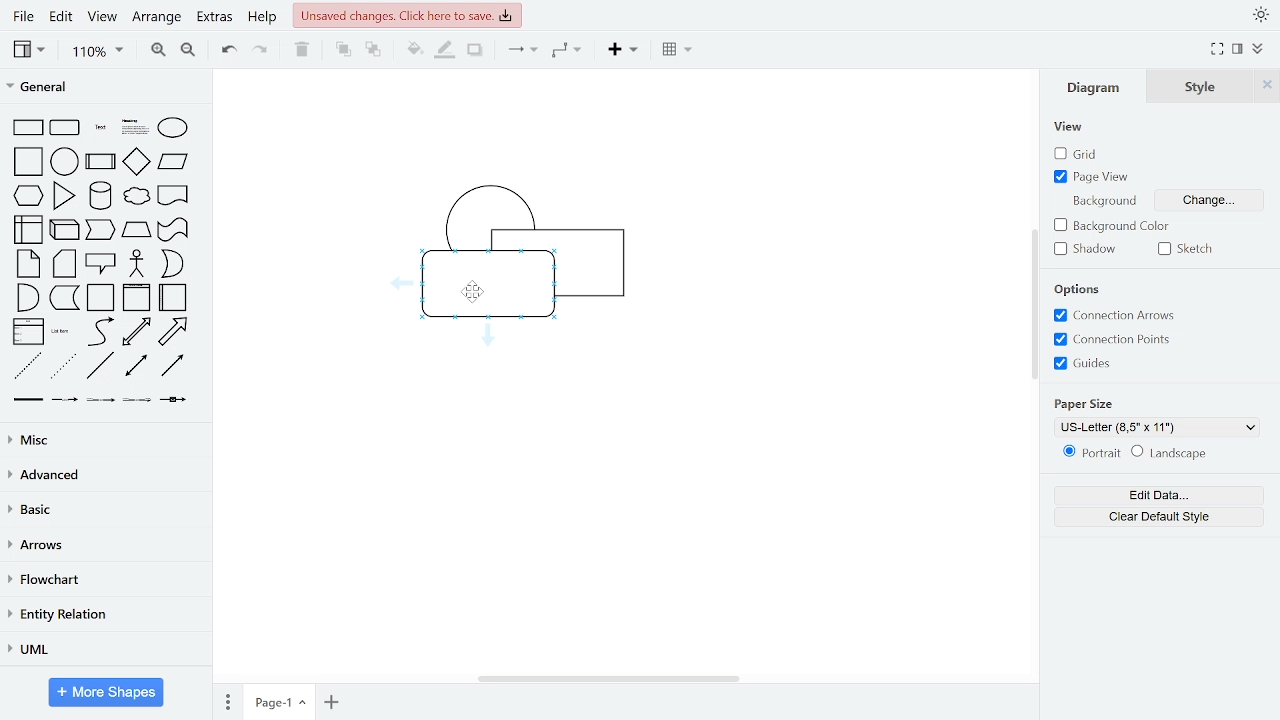 This screenshot has height=720, width=1280. What do you see at coordinates (138, 197) in the screenshot?
I see `cloud` at bounding box center [138, 197].